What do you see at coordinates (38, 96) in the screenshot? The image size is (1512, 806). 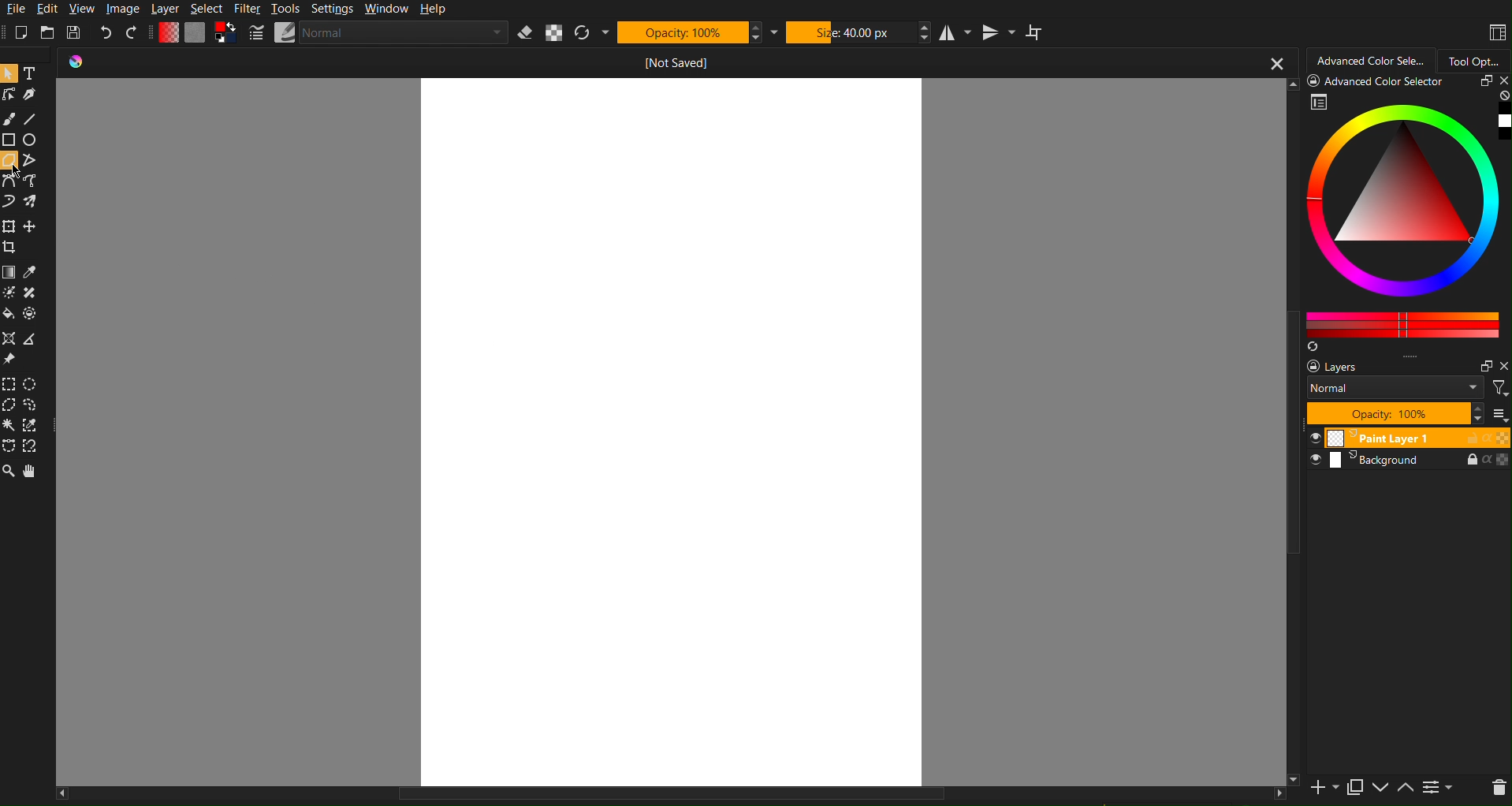 I see `calligraphy` at bounding box center [38, 96].